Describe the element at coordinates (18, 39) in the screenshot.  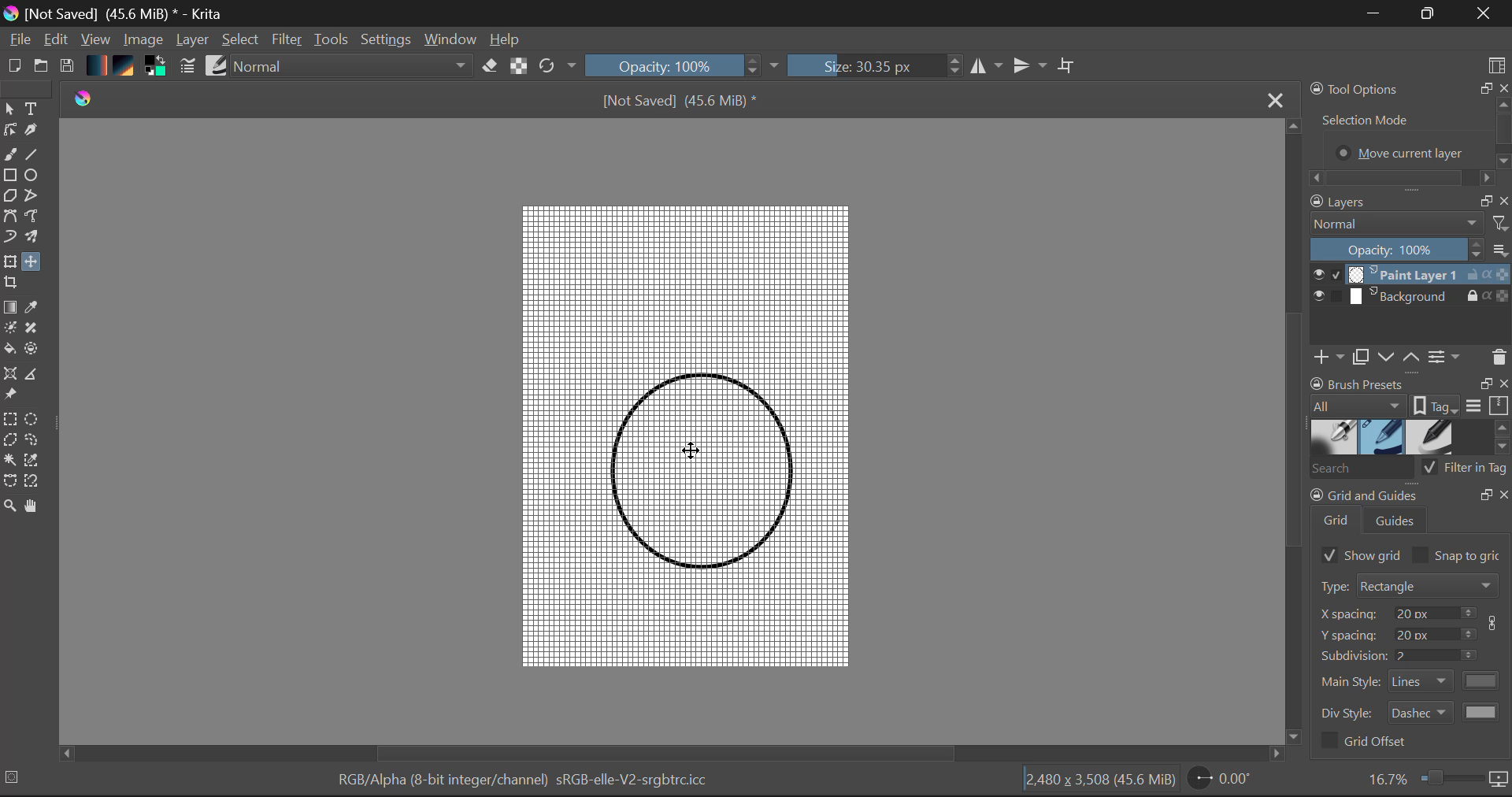
I see `File` at that location.